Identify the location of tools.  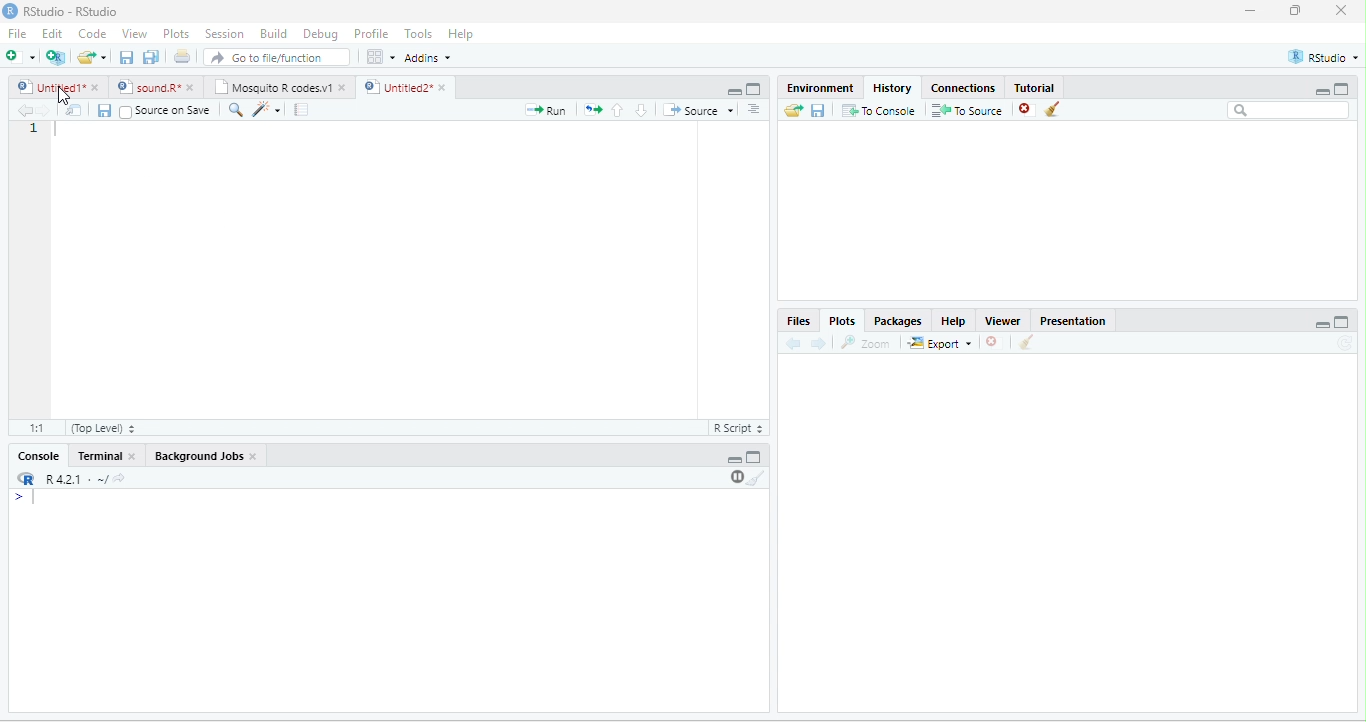
(265, 111).